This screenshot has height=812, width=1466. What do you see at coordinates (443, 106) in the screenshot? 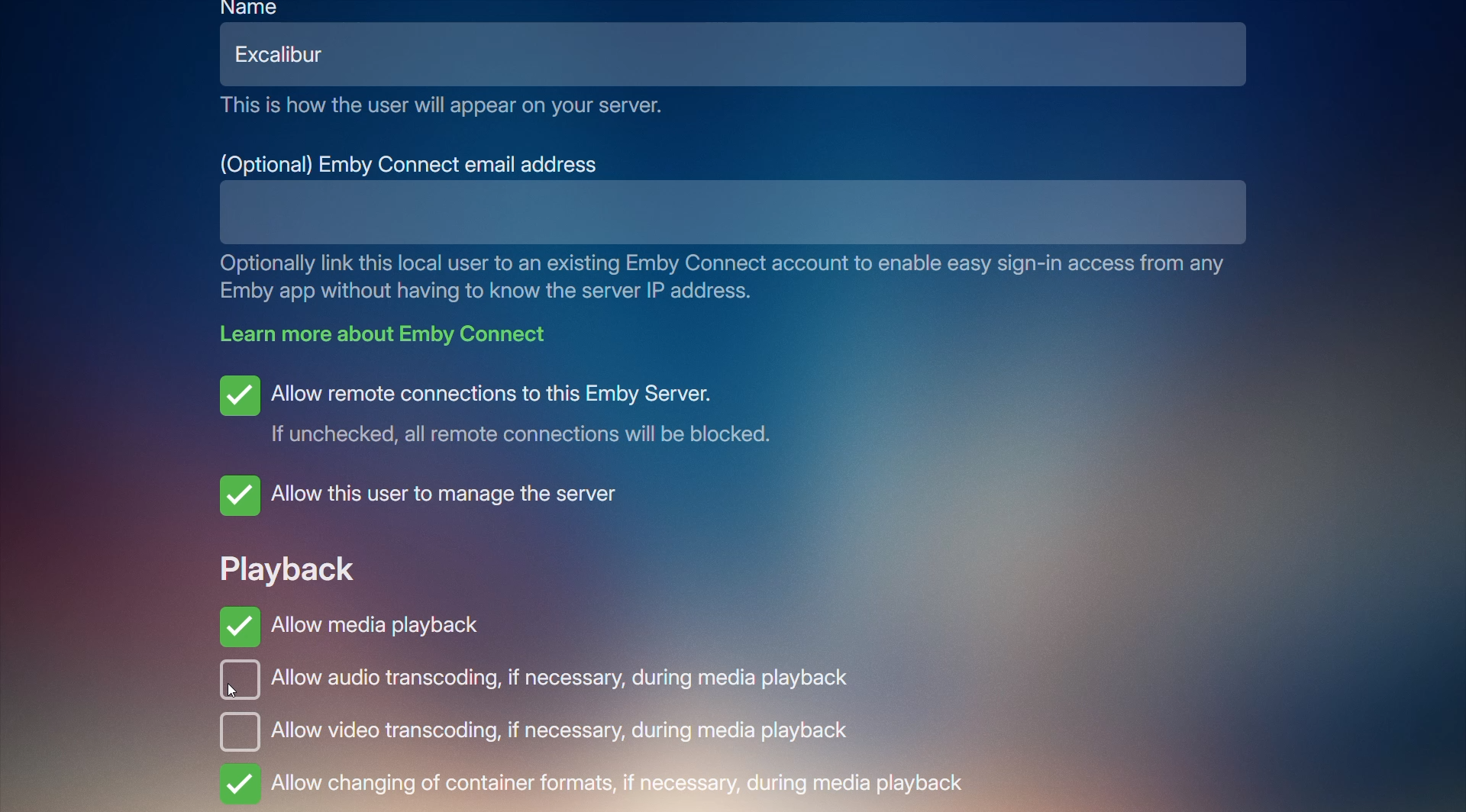
I see `This is how the user will appear on your server.` at bounding box center [443, 106].